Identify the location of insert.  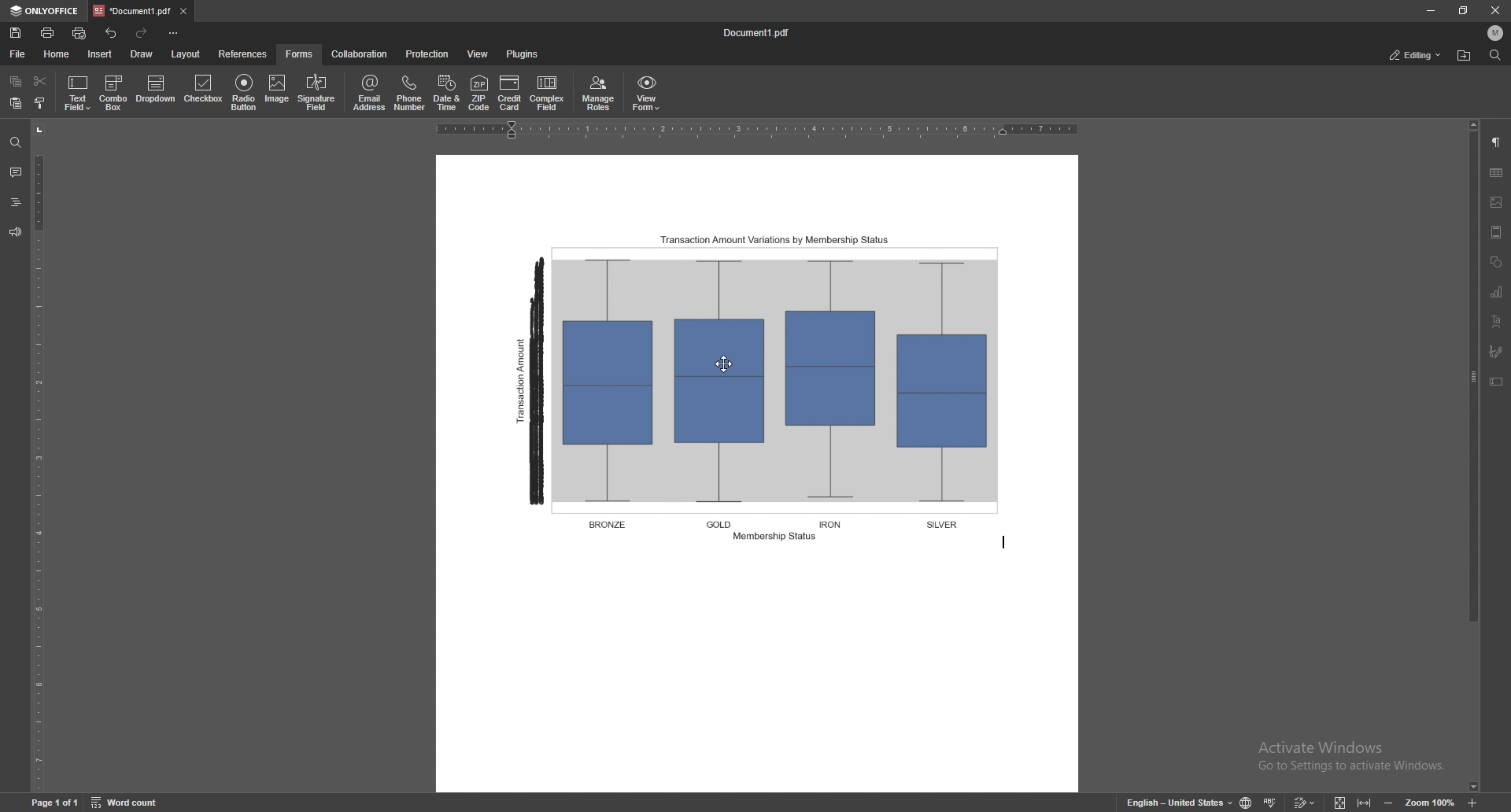
(100, 54).